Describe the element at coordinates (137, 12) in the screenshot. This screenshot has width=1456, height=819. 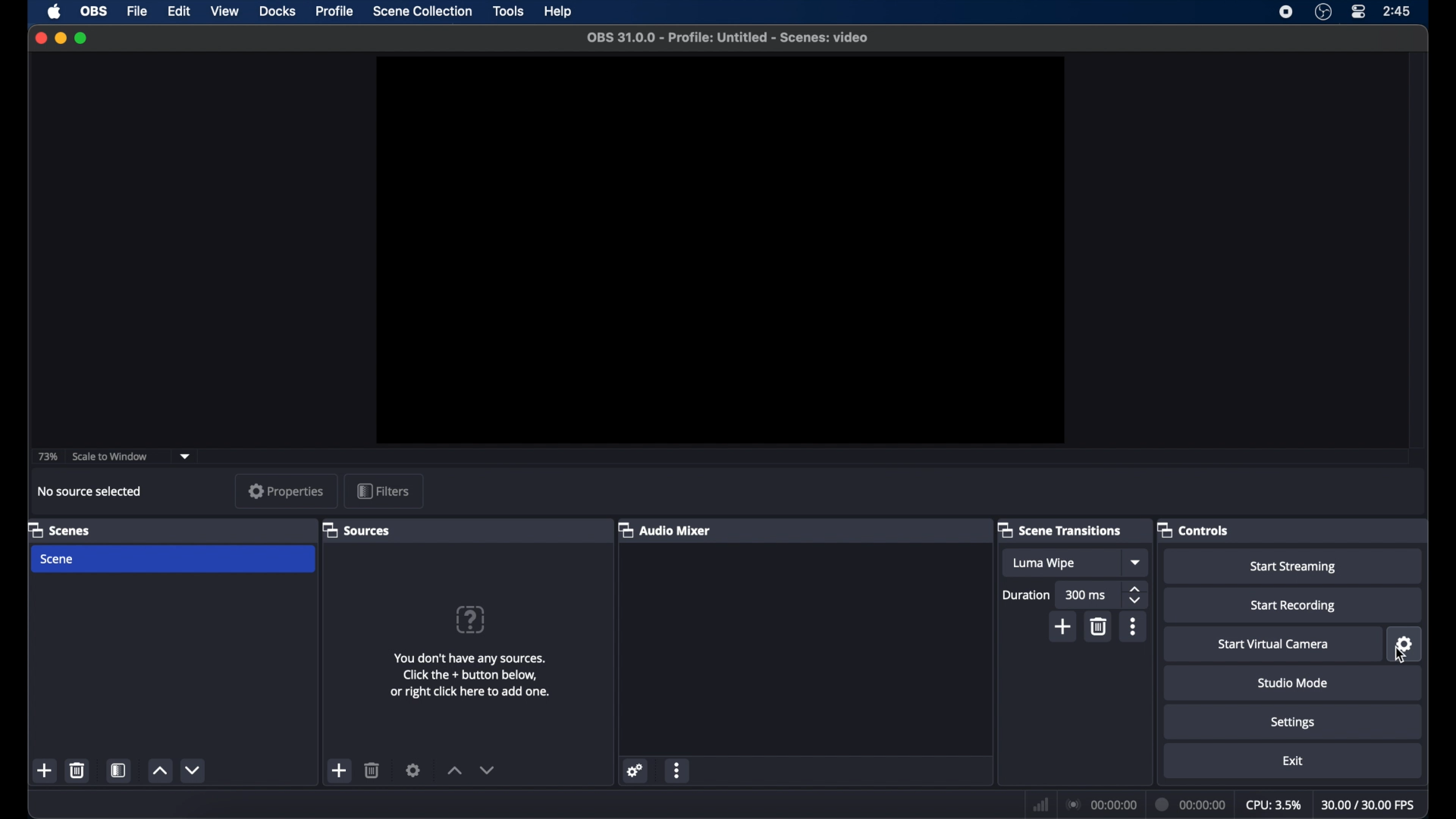
I see `file` at that location.